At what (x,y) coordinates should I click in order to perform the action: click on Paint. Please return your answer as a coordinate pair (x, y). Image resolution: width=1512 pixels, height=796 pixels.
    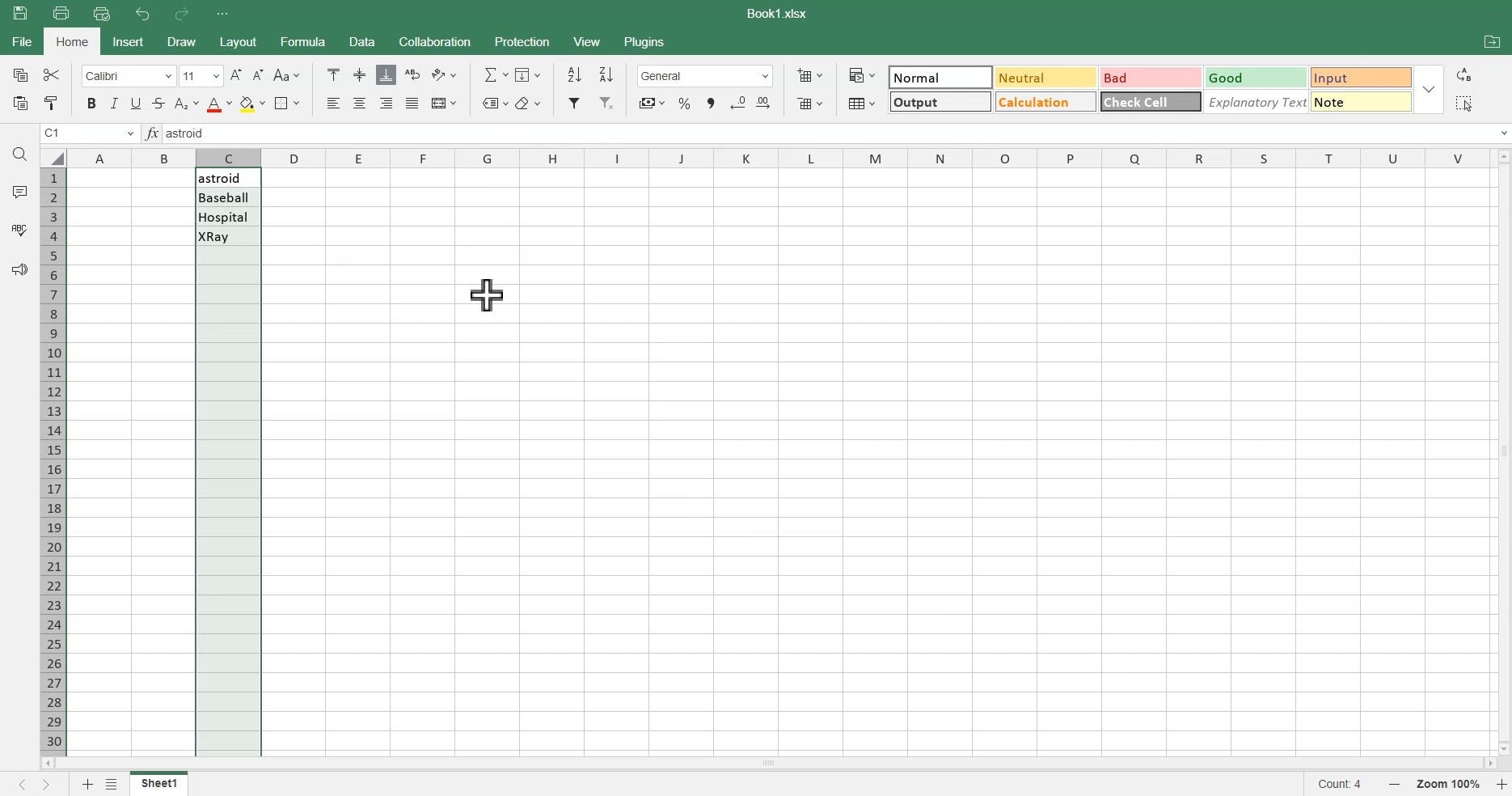
    Looking at the image, I should click on (50, 103).